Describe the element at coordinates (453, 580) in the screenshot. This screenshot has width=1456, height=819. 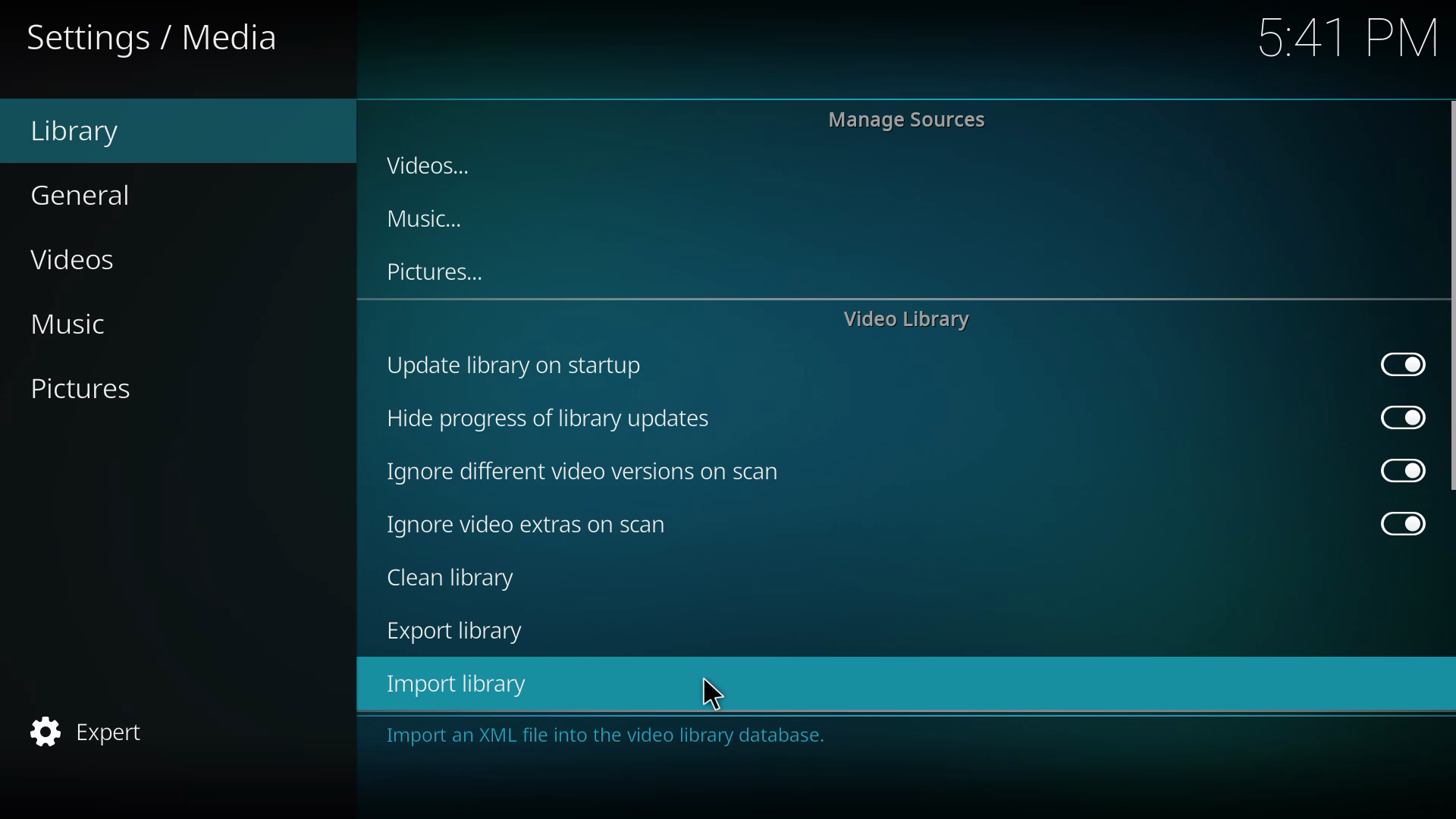
I see `clean library` at that location.